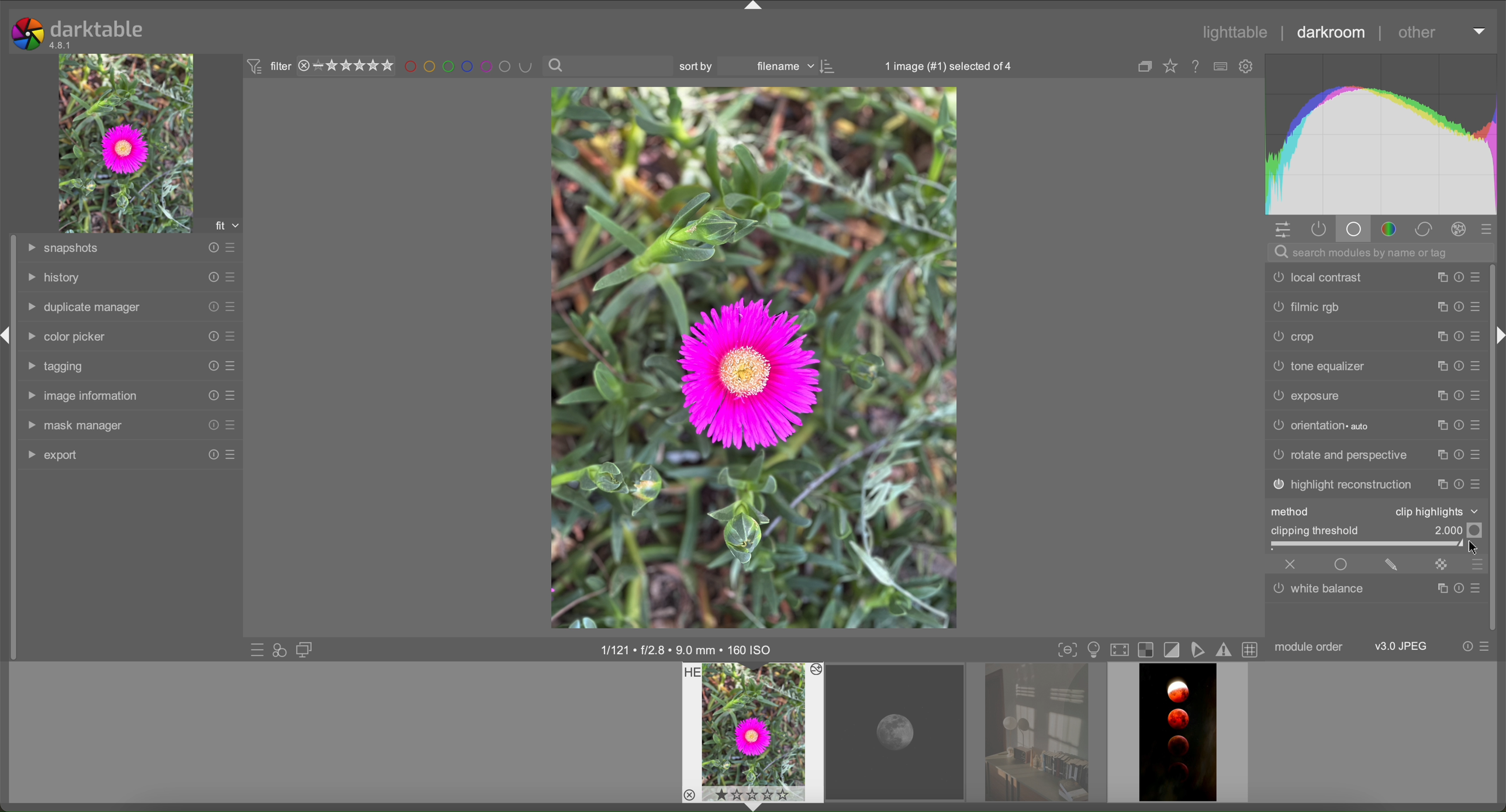 This screenshot has height=812, width=1506. I want to click on reset presets, so click(1456, 457).